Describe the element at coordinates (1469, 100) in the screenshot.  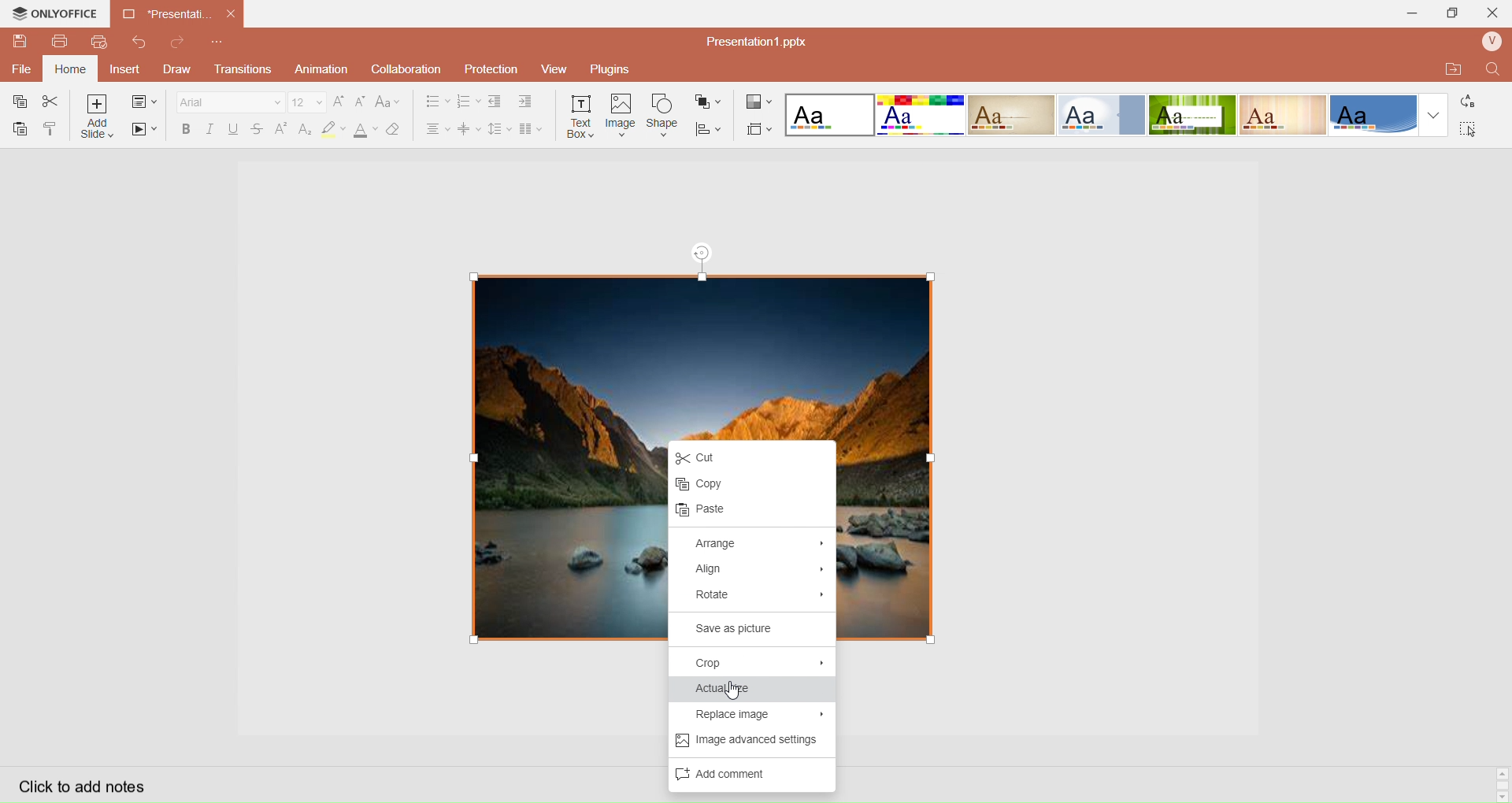
I see `Replace` at that location.